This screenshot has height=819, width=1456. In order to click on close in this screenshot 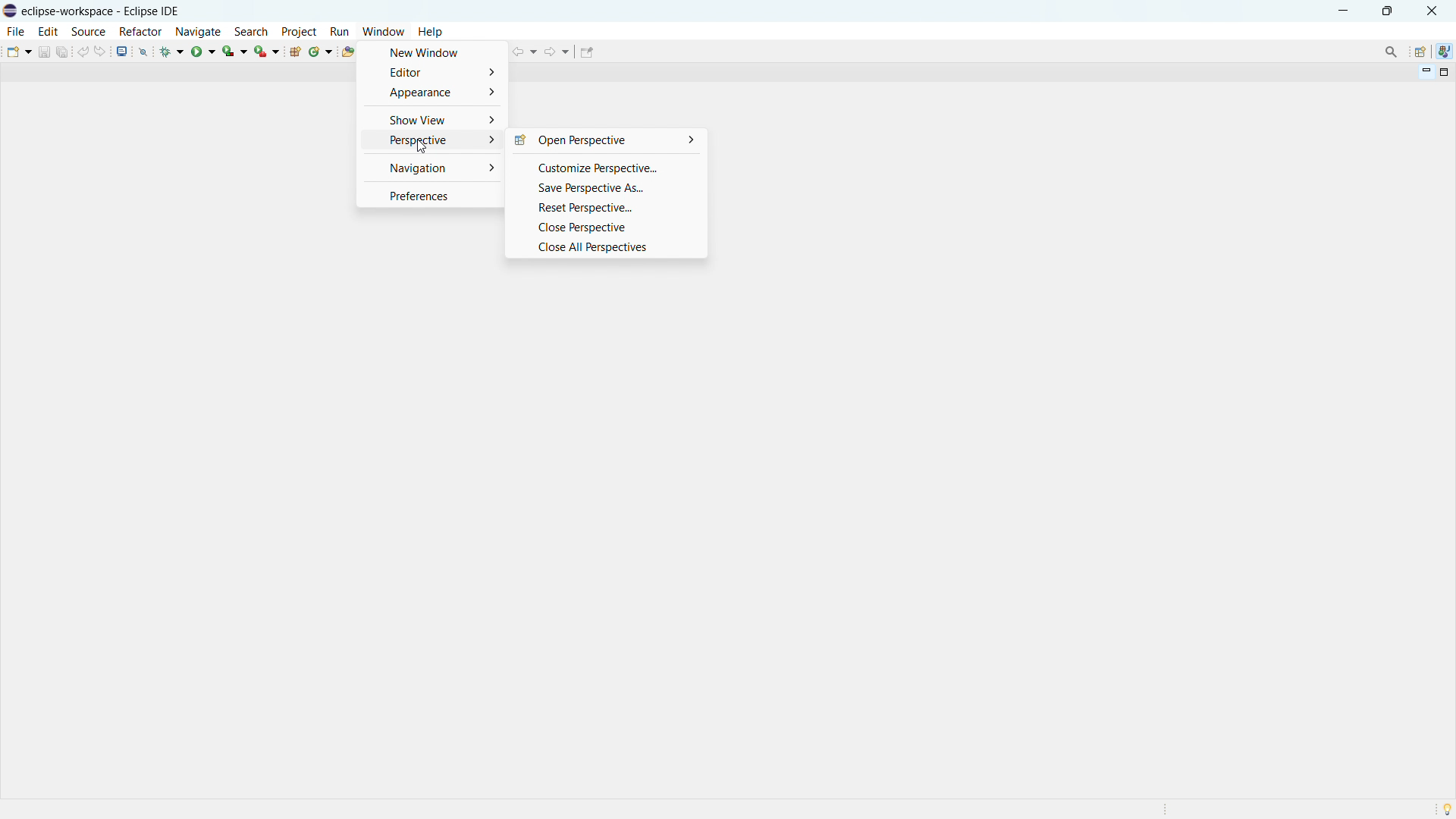, I will do `click(1431, 11)`.